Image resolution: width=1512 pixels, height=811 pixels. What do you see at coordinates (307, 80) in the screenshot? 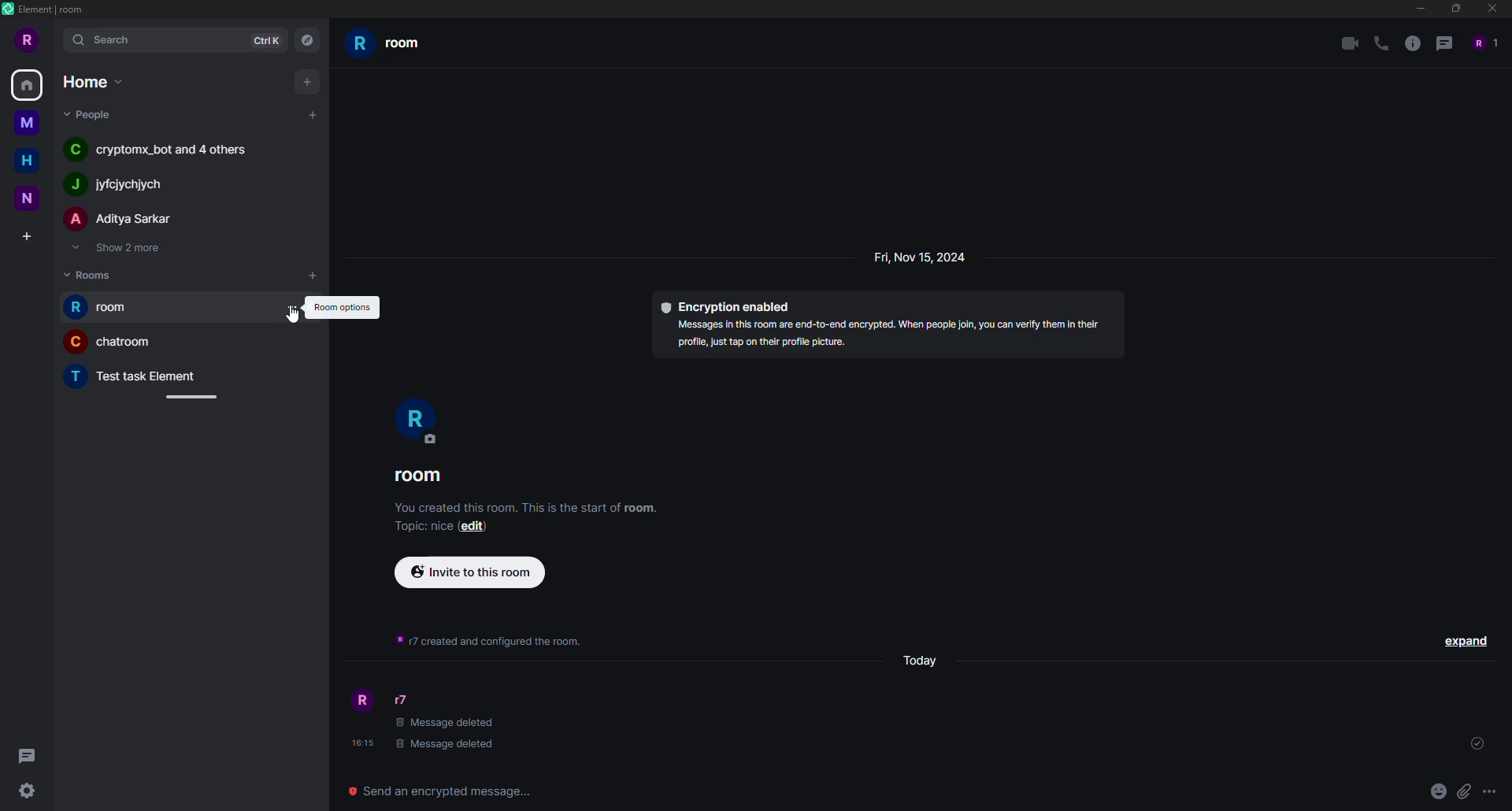
I see `add` at bounding box center [307, 80].